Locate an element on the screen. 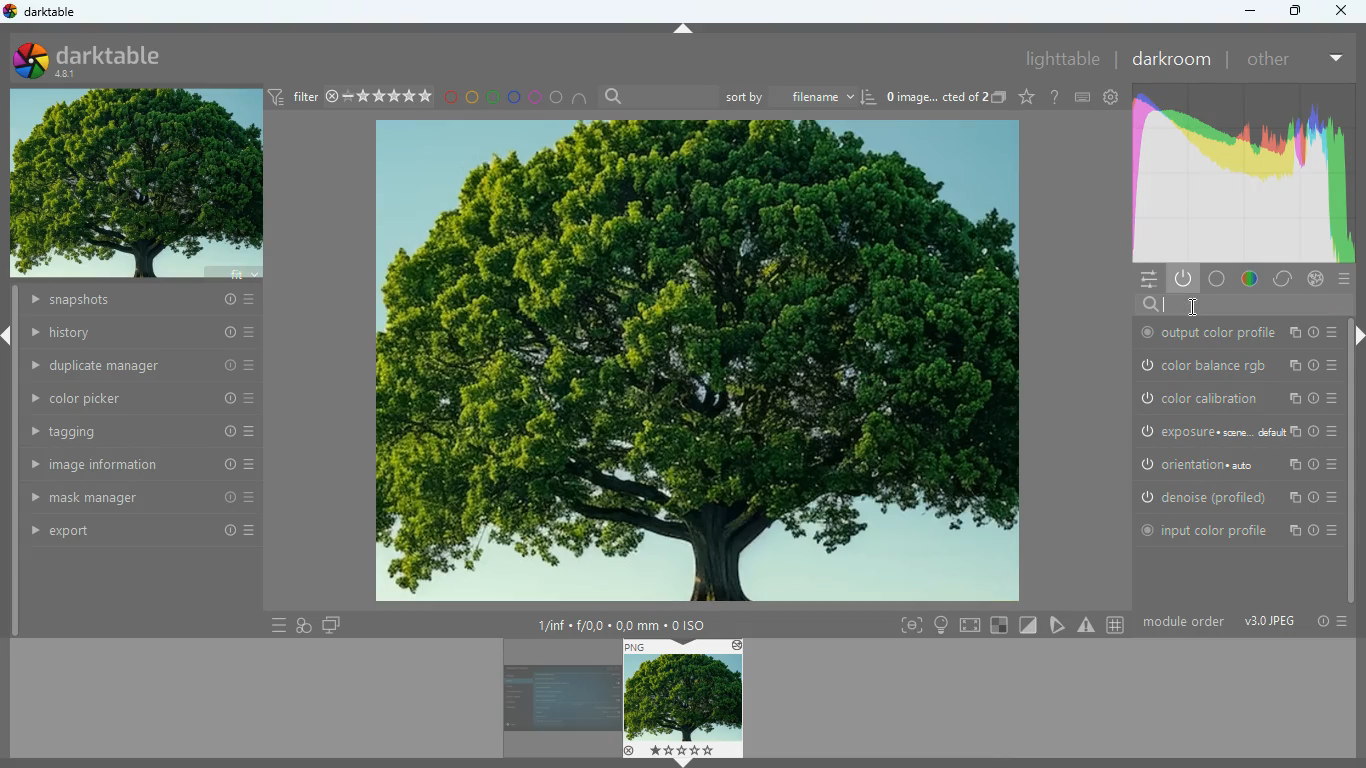  settings is located at coordinates (1112, 99).